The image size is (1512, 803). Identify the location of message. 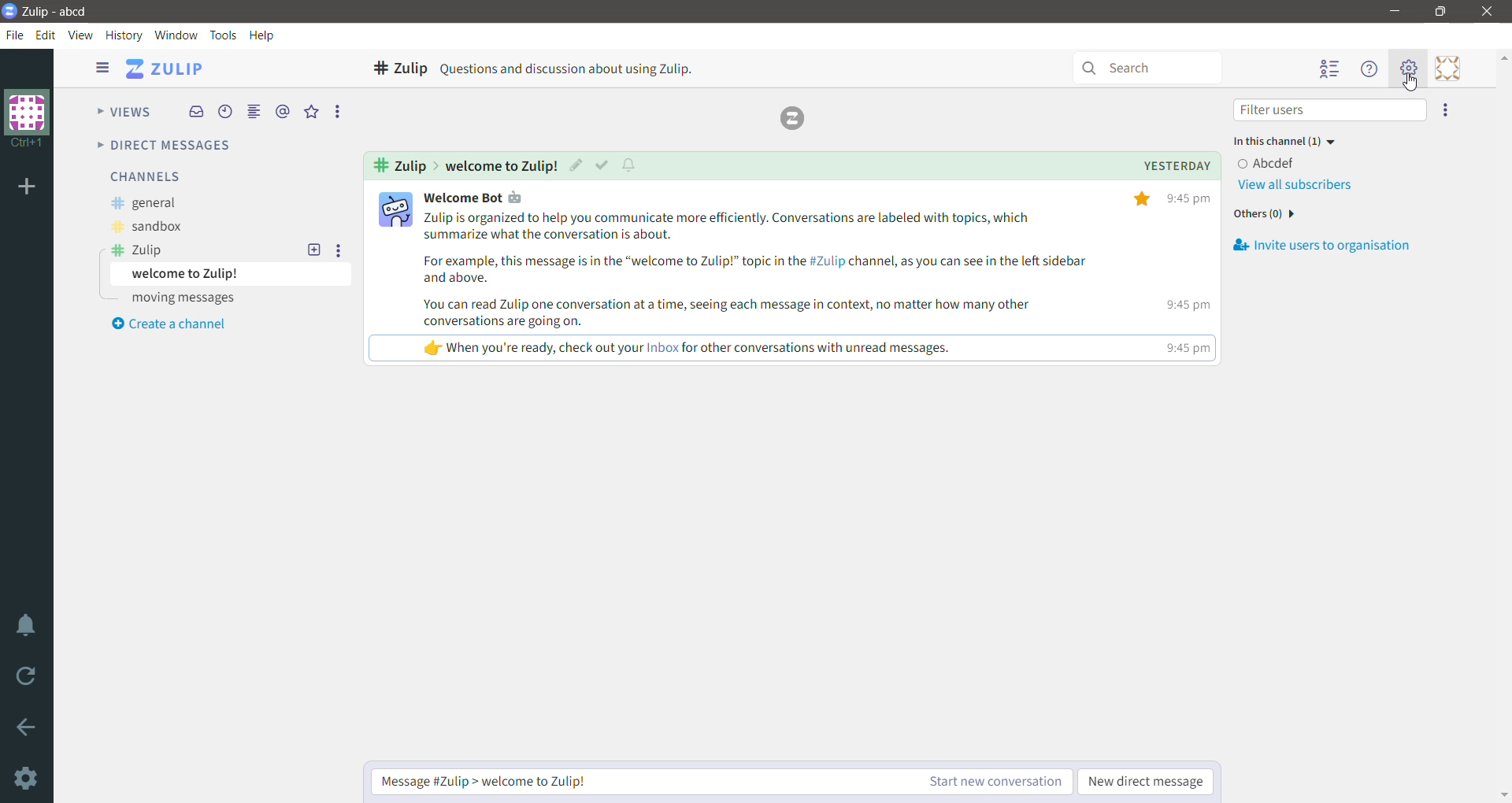
(753, 281).